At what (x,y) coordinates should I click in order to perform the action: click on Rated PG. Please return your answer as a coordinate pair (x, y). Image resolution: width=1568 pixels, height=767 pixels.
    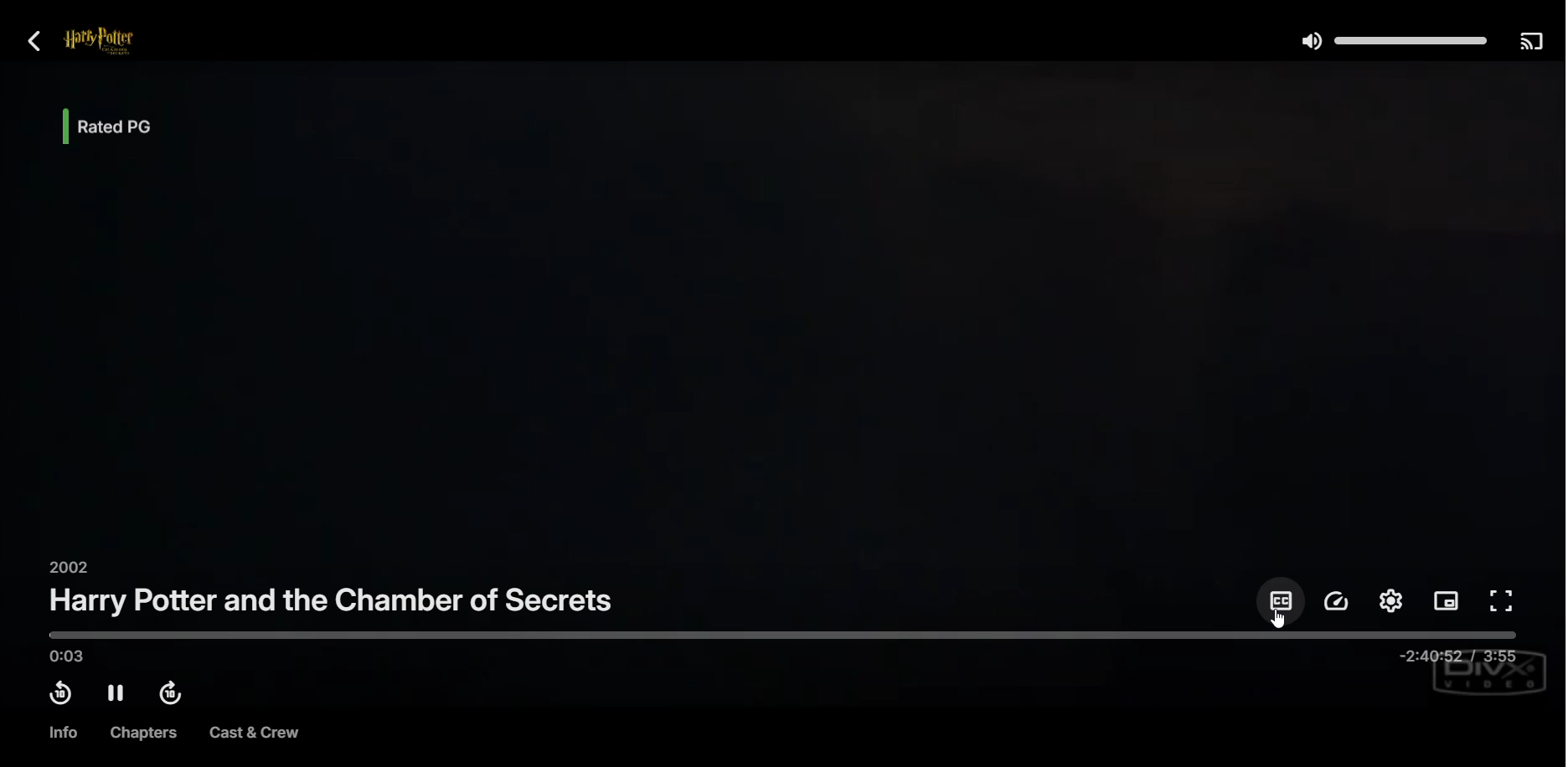
    Looking at the image, I should click on (125, 126).